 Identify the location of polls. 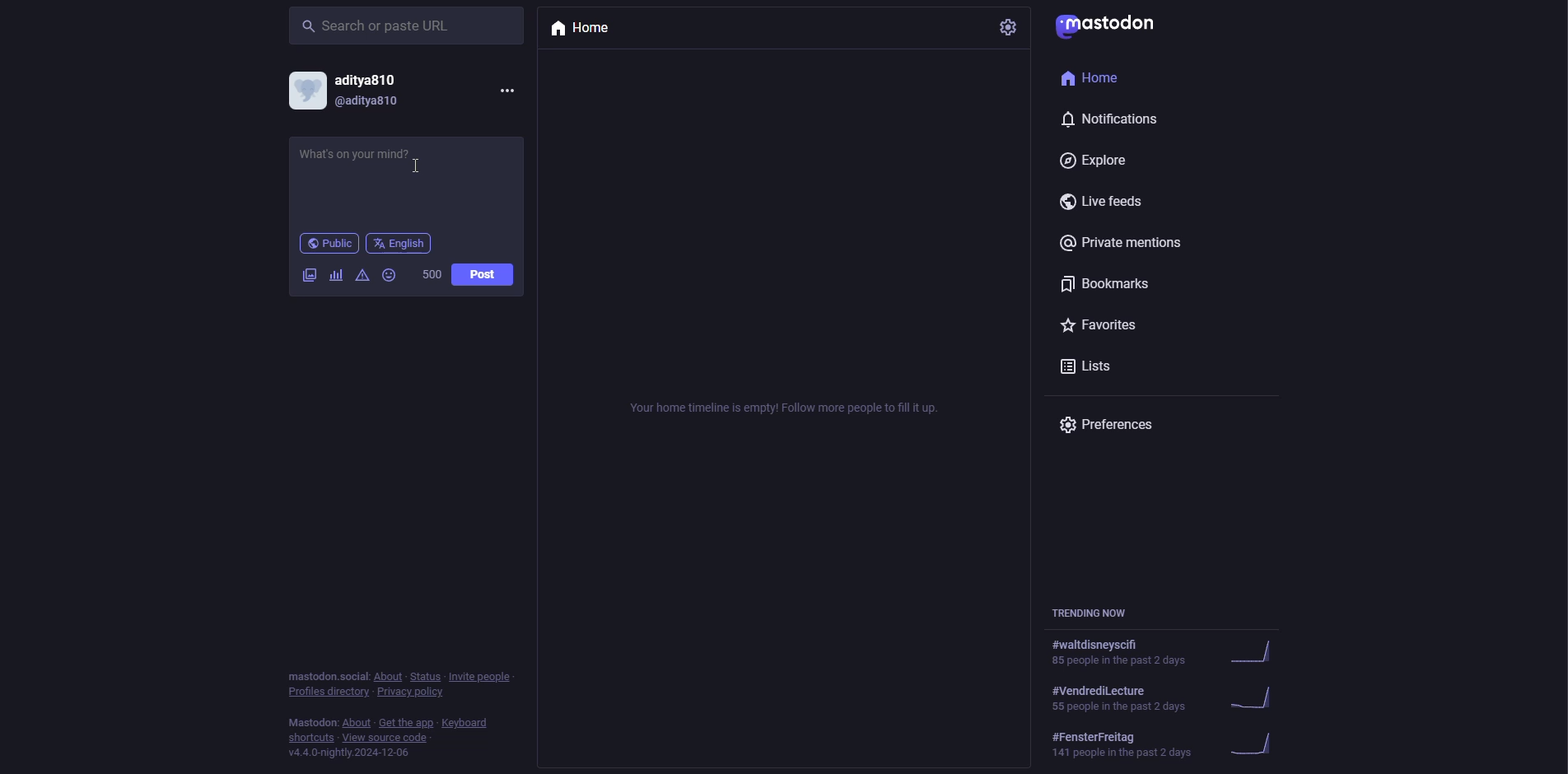
(335, 275).